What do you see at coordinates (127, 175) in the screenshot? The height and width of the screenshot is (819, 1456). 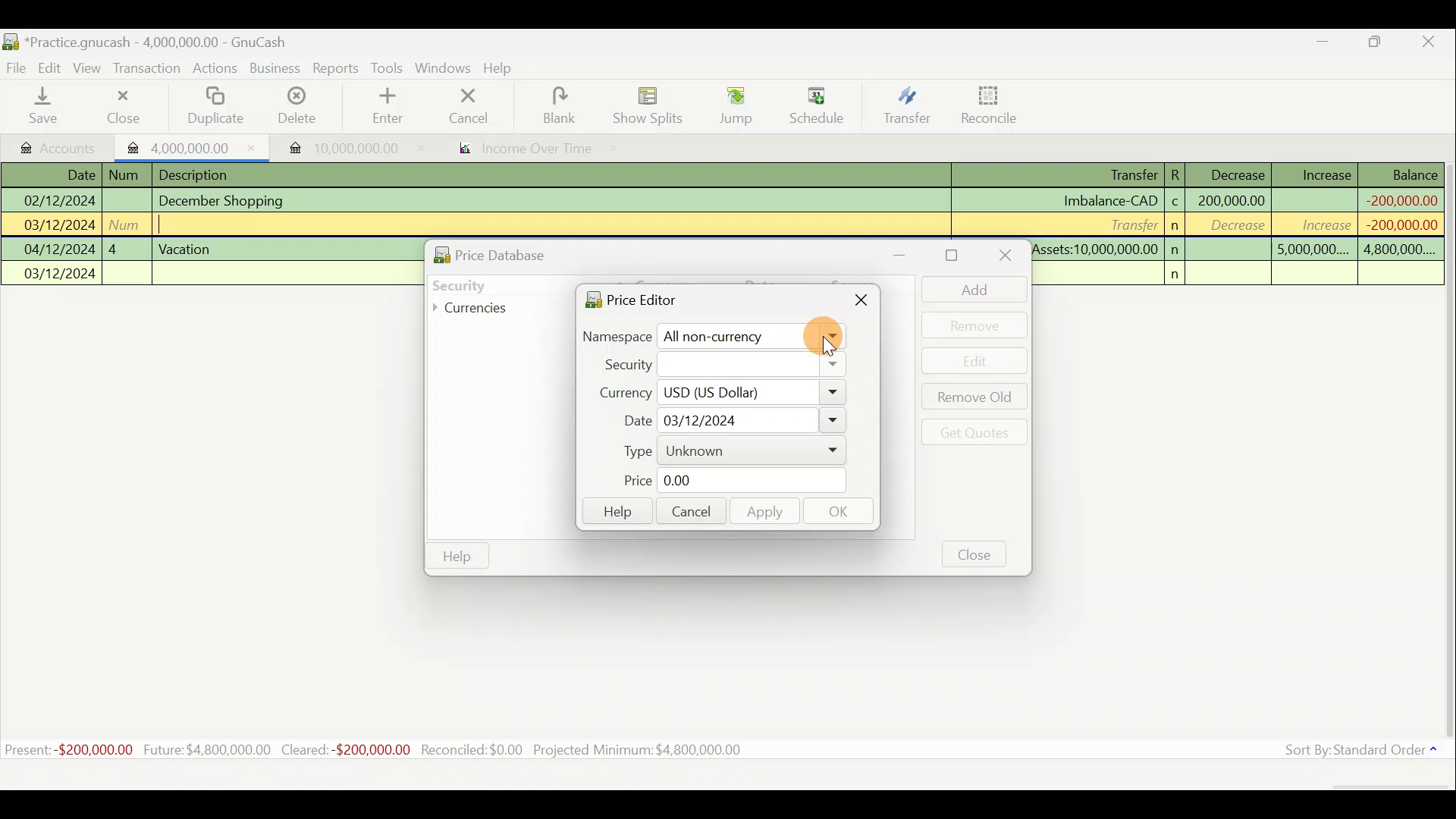 I see `num` at bounding box center [127, 175].